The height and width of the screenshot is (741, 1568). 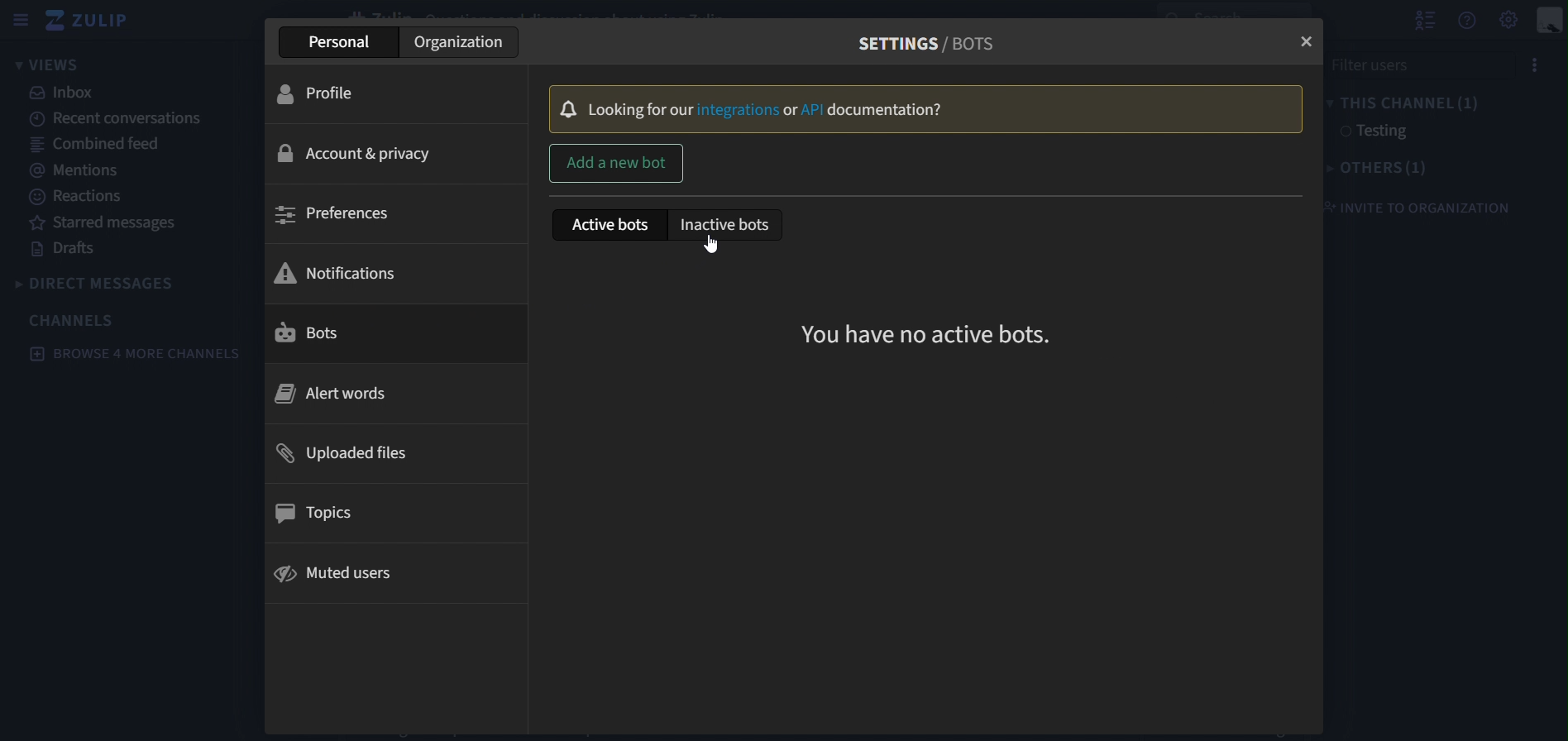 I want to click on Locking for our, so click(x=638, y=109).